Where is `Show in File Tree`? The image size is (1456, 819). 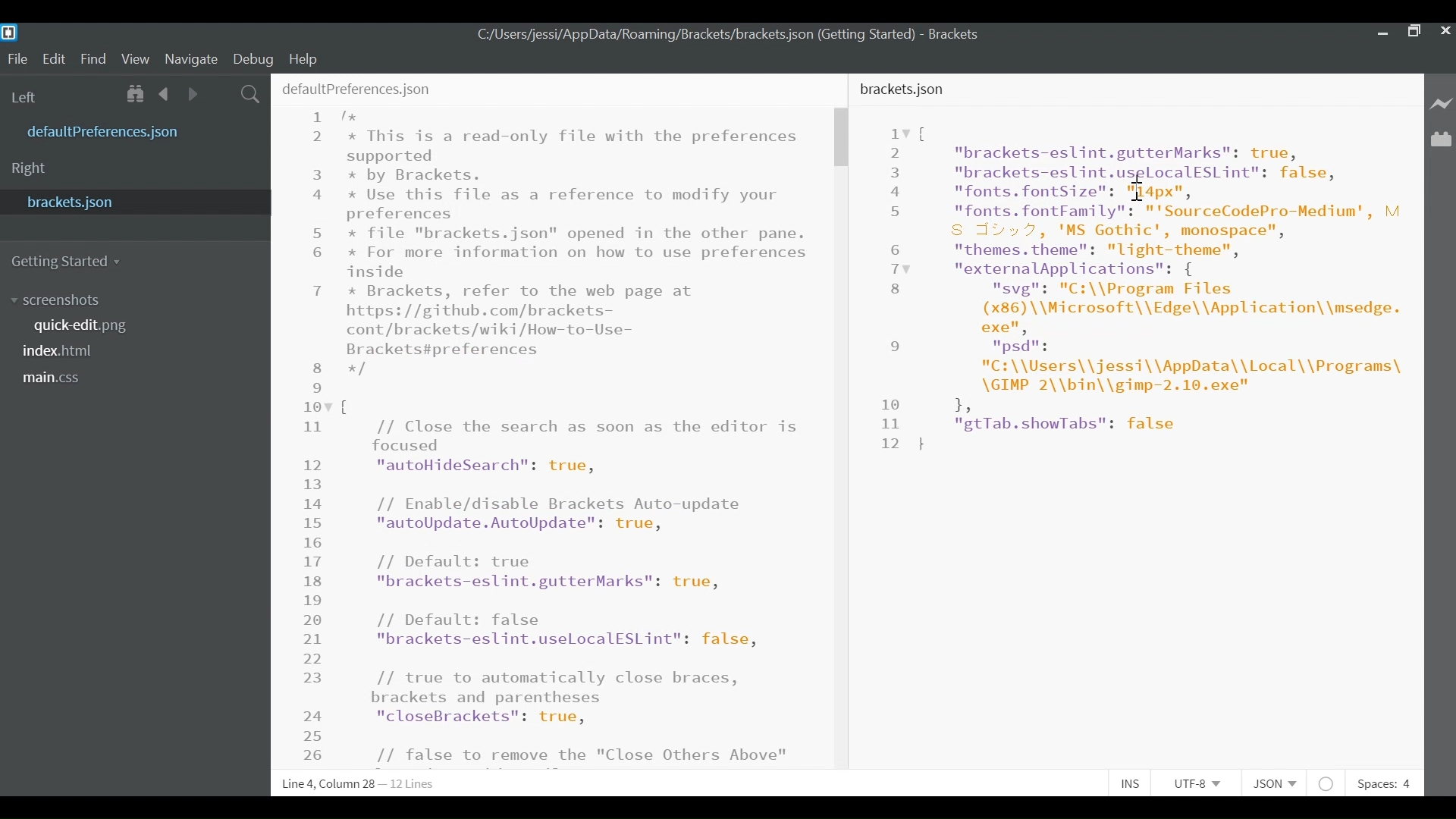 Show in File Tree is located at coordinates (138, 95).